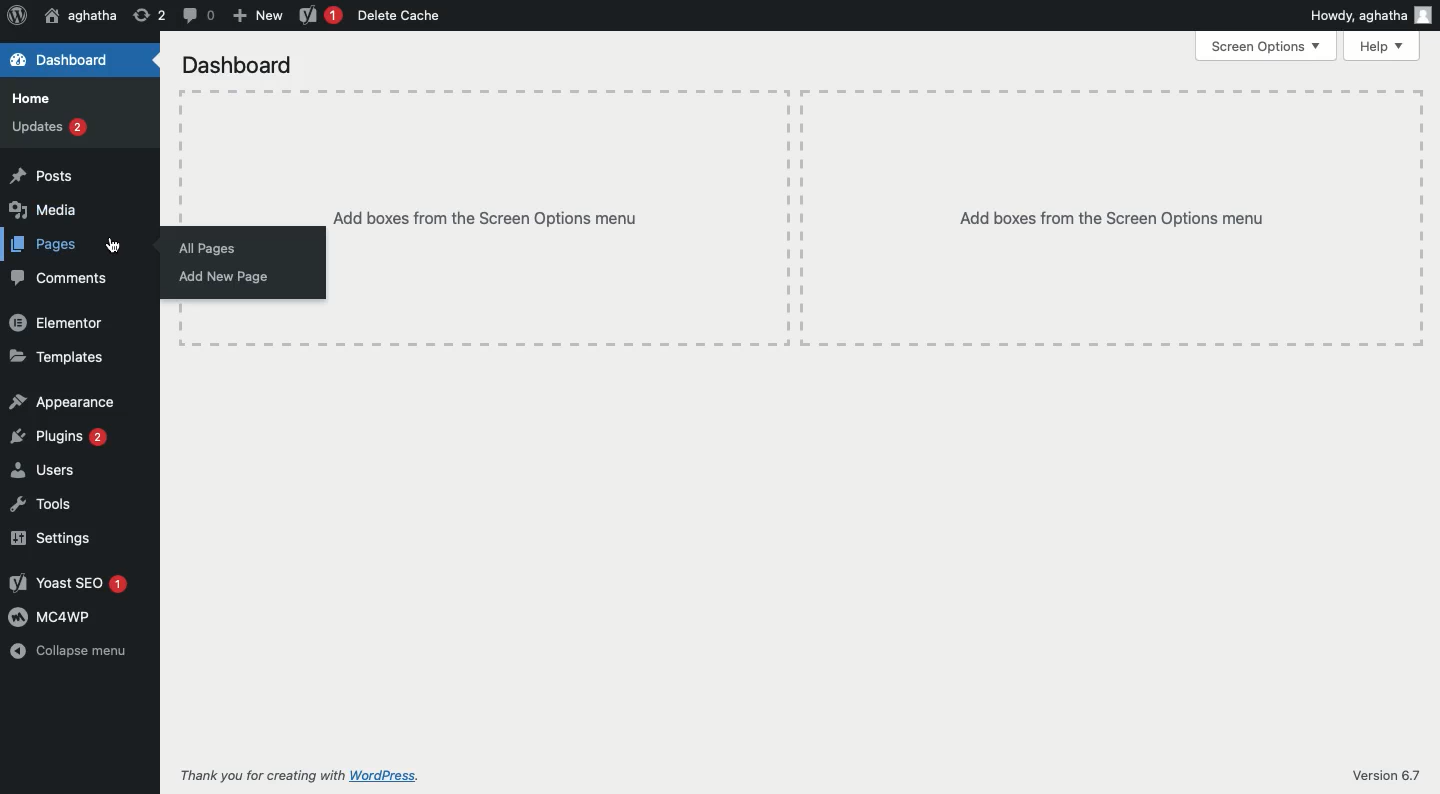 The image size is (1440, 794). I want to click on User, so click(80, 16).